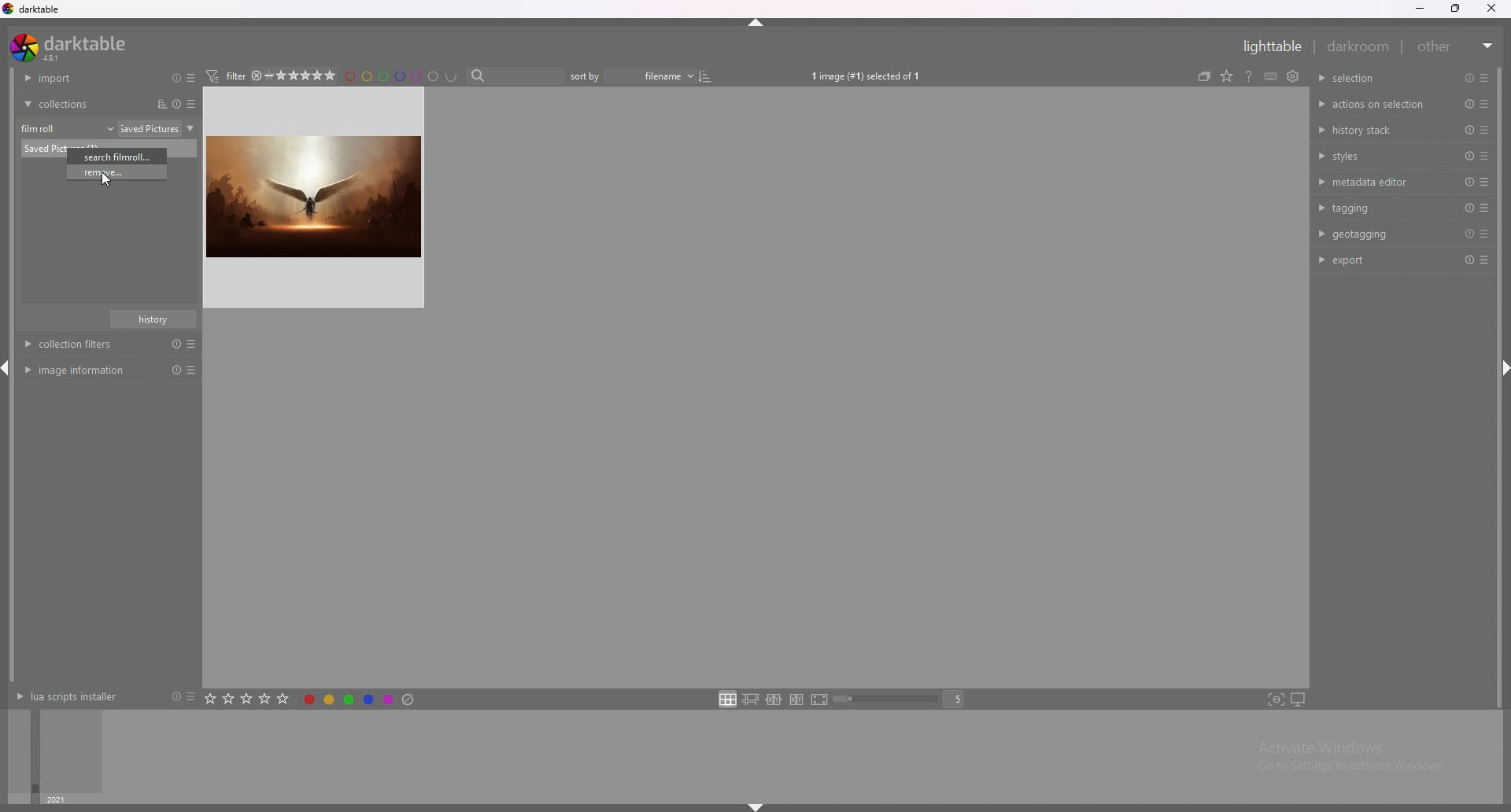 The width and height of the screenshot is (1511, 812). Describe the element at coordinates (1485, 105) in the screenshot. I see `presets` at that location.